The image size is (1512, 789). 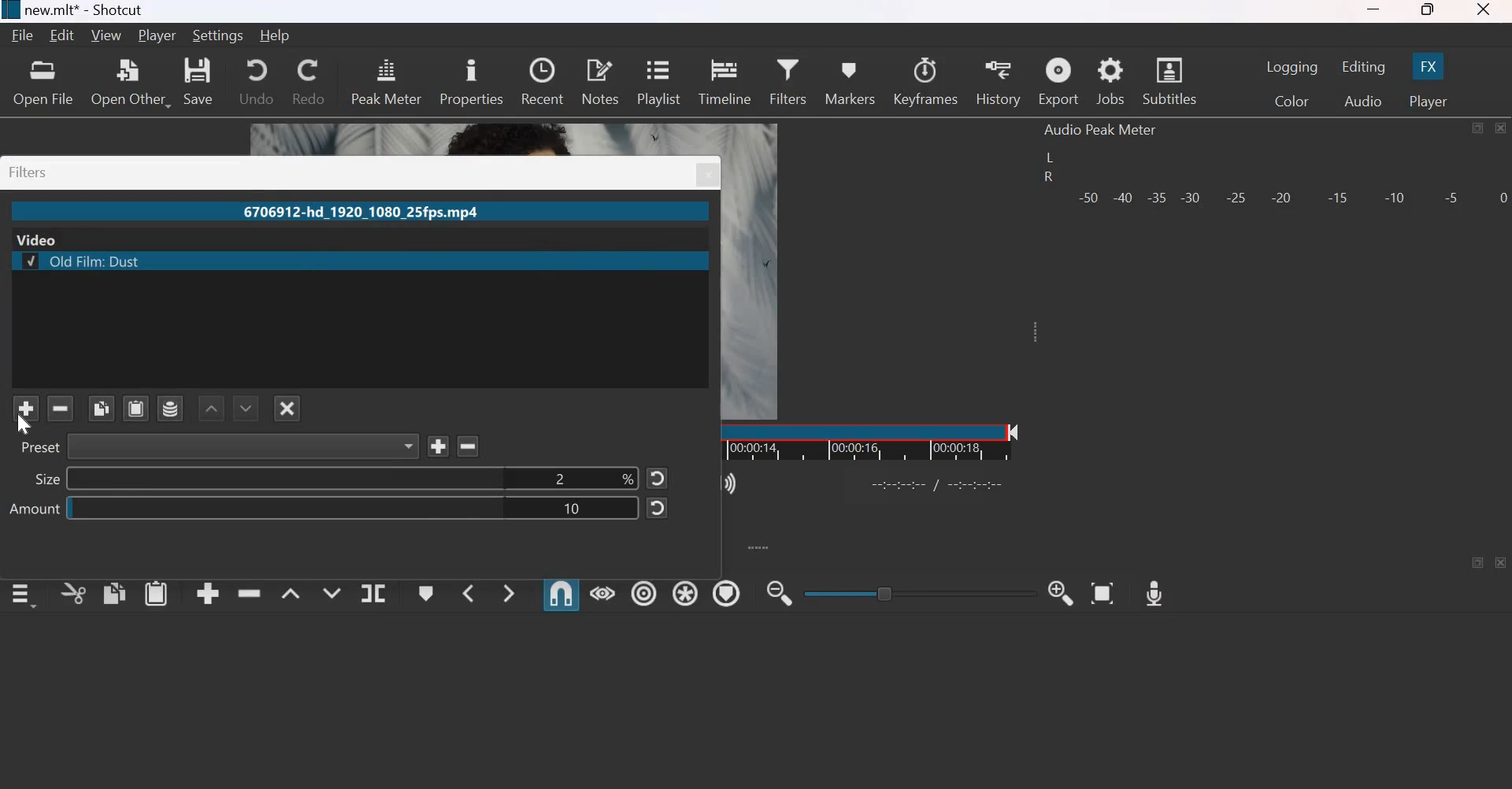 What do you see at coordinates (465, 592) in the screenshot?
I see `Previous Marker` at bounding box center [465, 592].